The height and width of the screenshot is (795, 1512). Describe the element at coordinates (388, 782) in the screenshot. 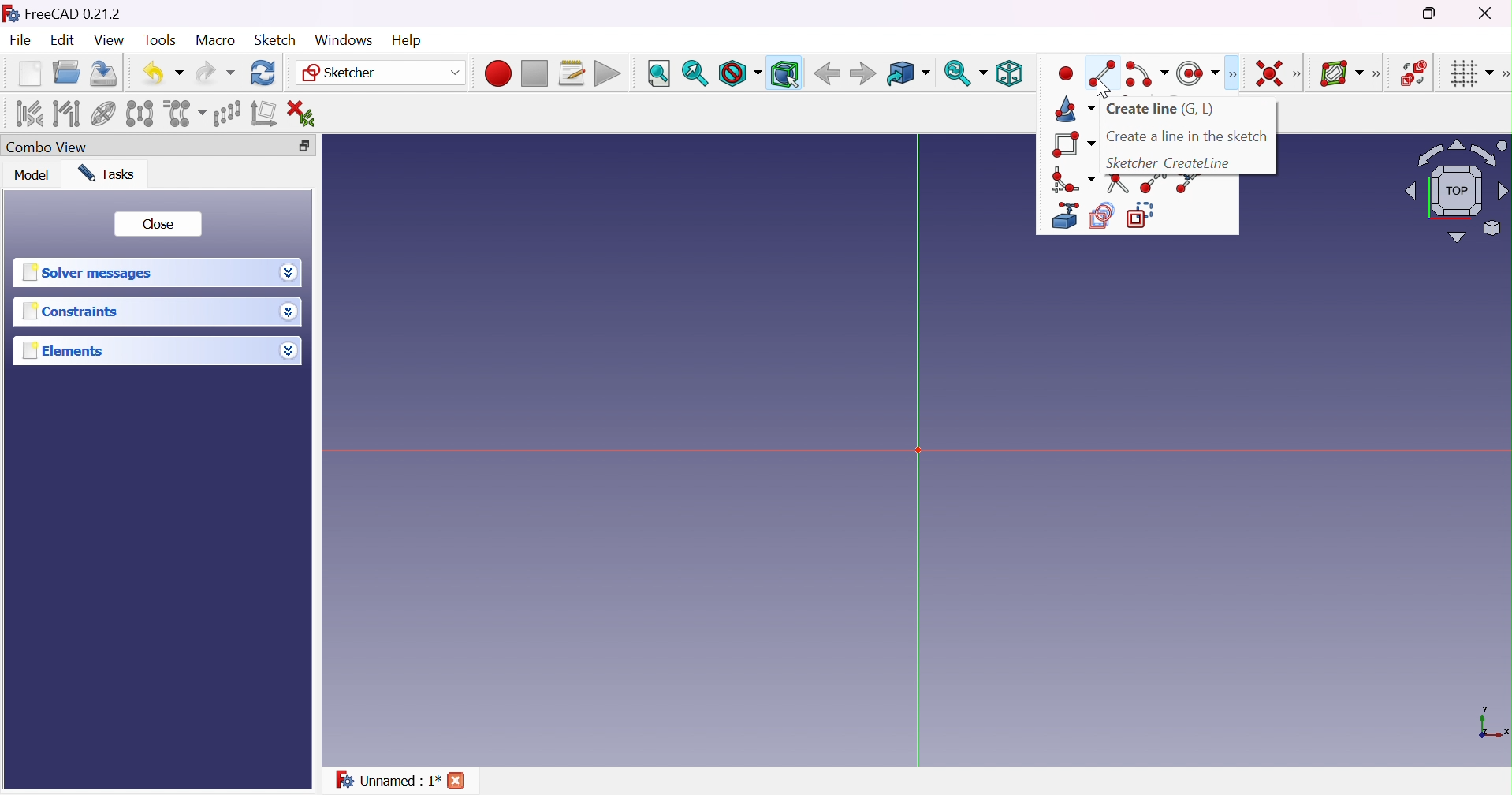

I see `Unnamed : 1*` at that location.